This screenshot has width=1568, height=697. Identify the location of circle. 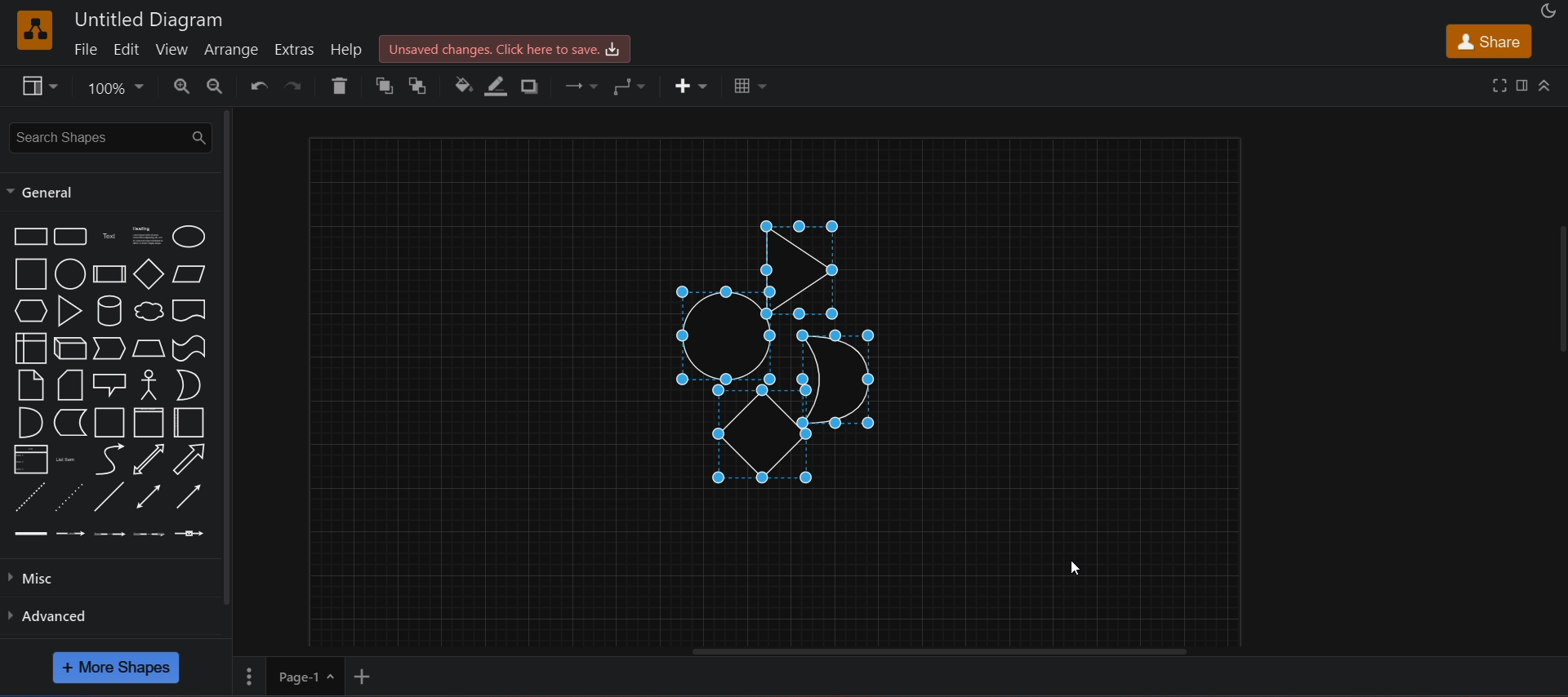
(69, 274).